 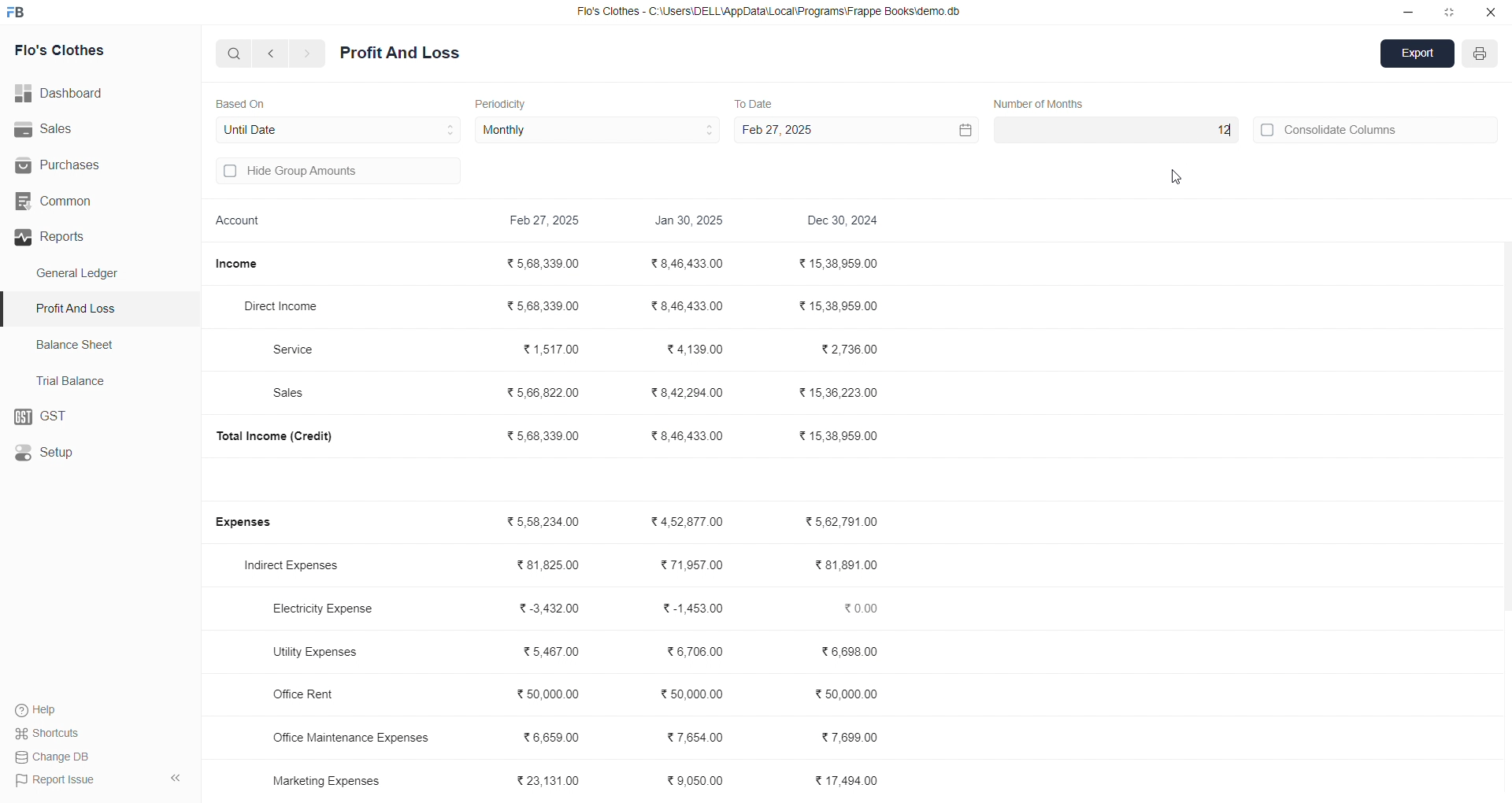 What do you see at coordinates (1114, 130) in the screenshot?
I see `12` at bounding box center [1114, 130].